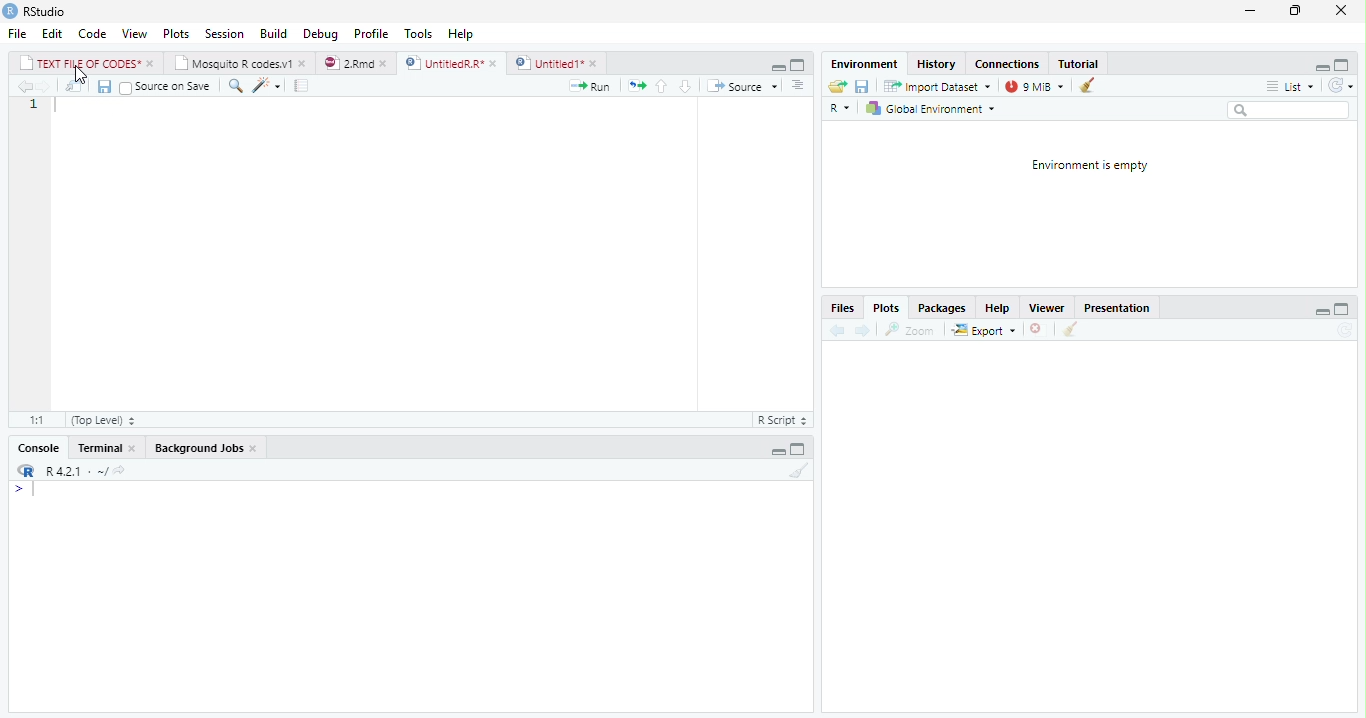 Image resolution: width=1366 pixels, height=718 pixels. Describe the element at coordinates (79, 75) in the screenshot. I see `cursor` at that location.